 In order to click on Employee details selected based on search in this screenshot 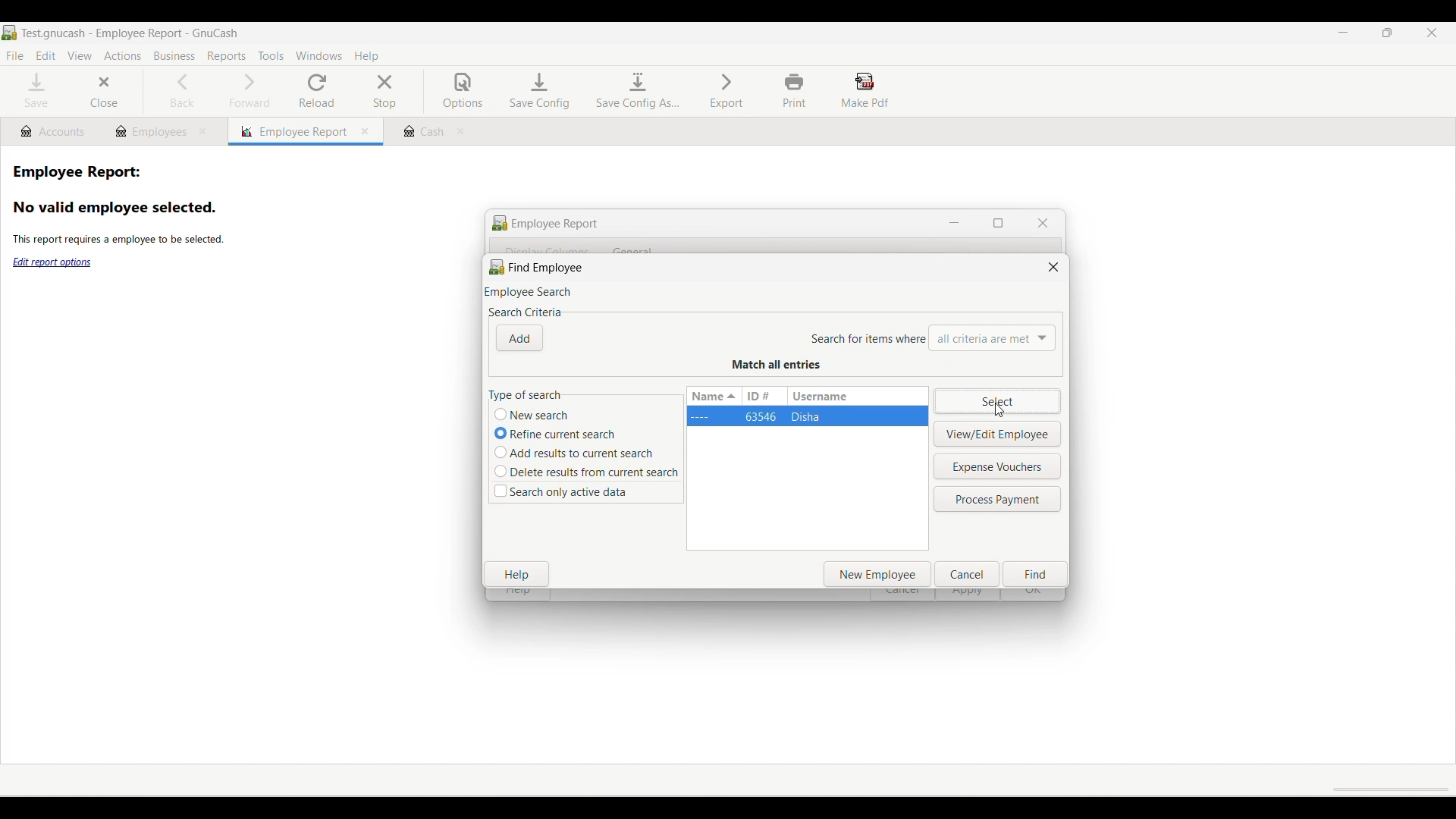, I will do `click(807, 416)`.